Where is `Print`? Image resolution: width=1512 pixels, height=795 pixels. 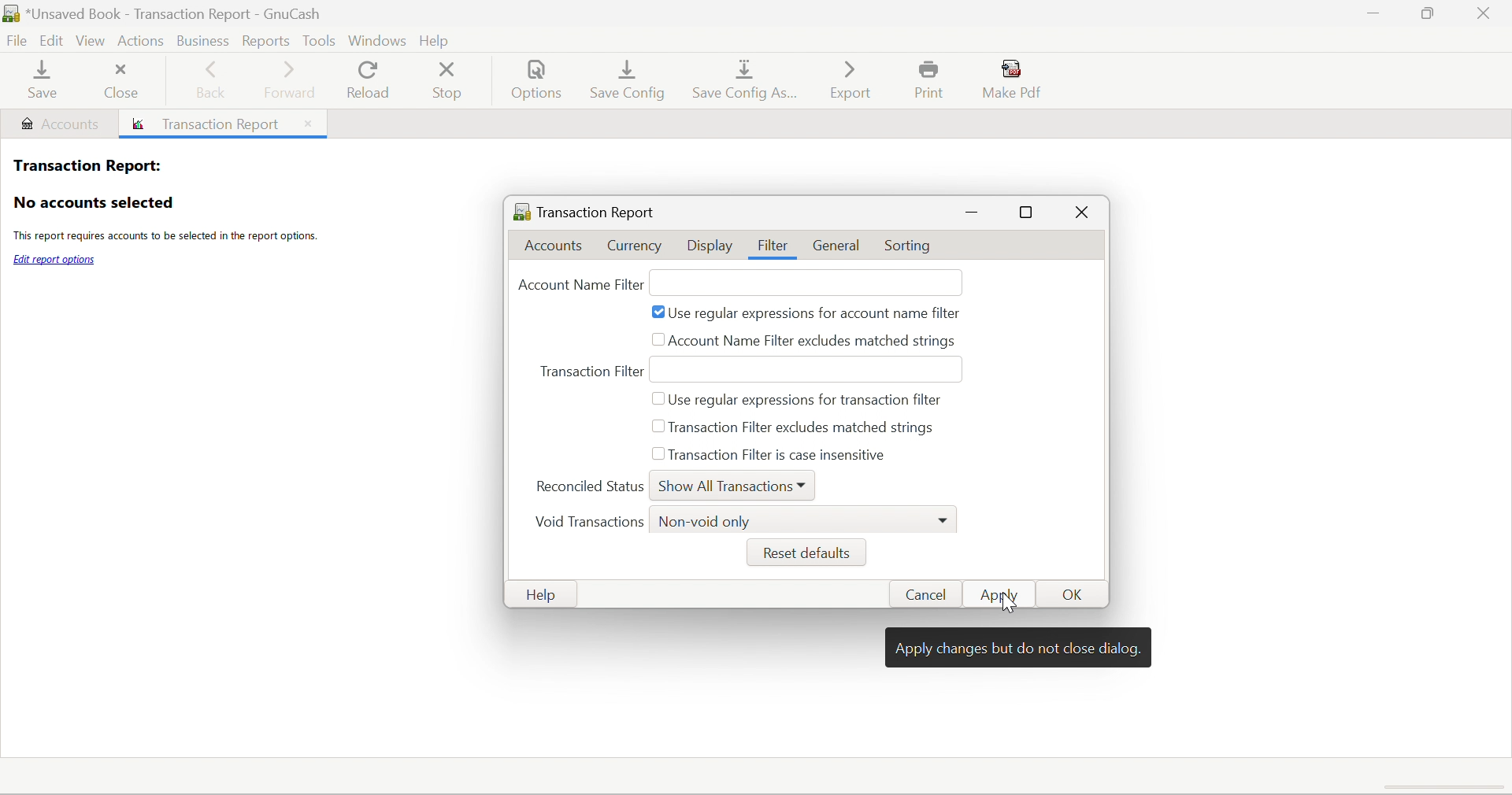
Print is located at coordinates (933, 80).